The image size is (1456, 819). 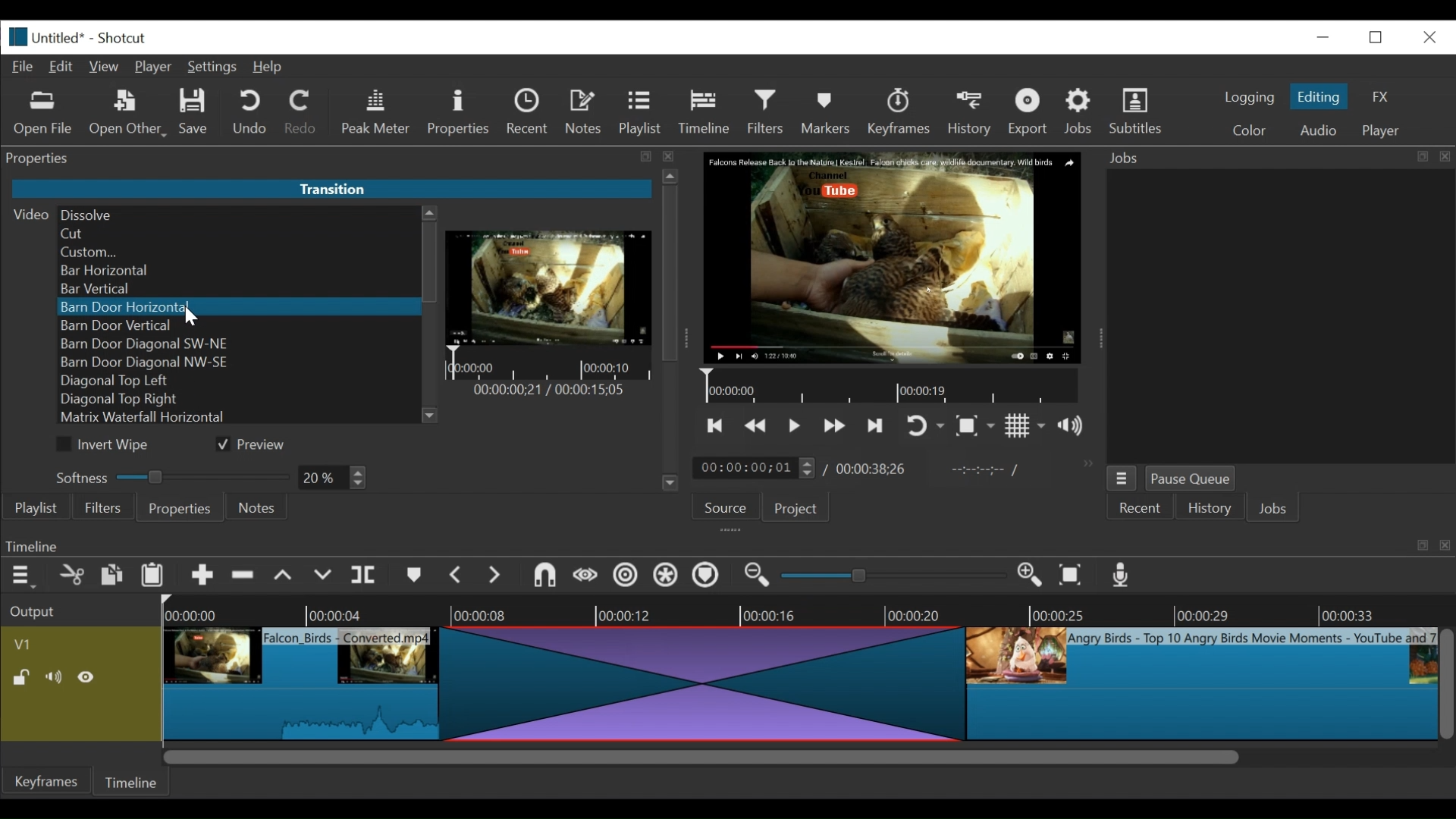 I want to click on Peak Meter, so click(x=378, y=112).